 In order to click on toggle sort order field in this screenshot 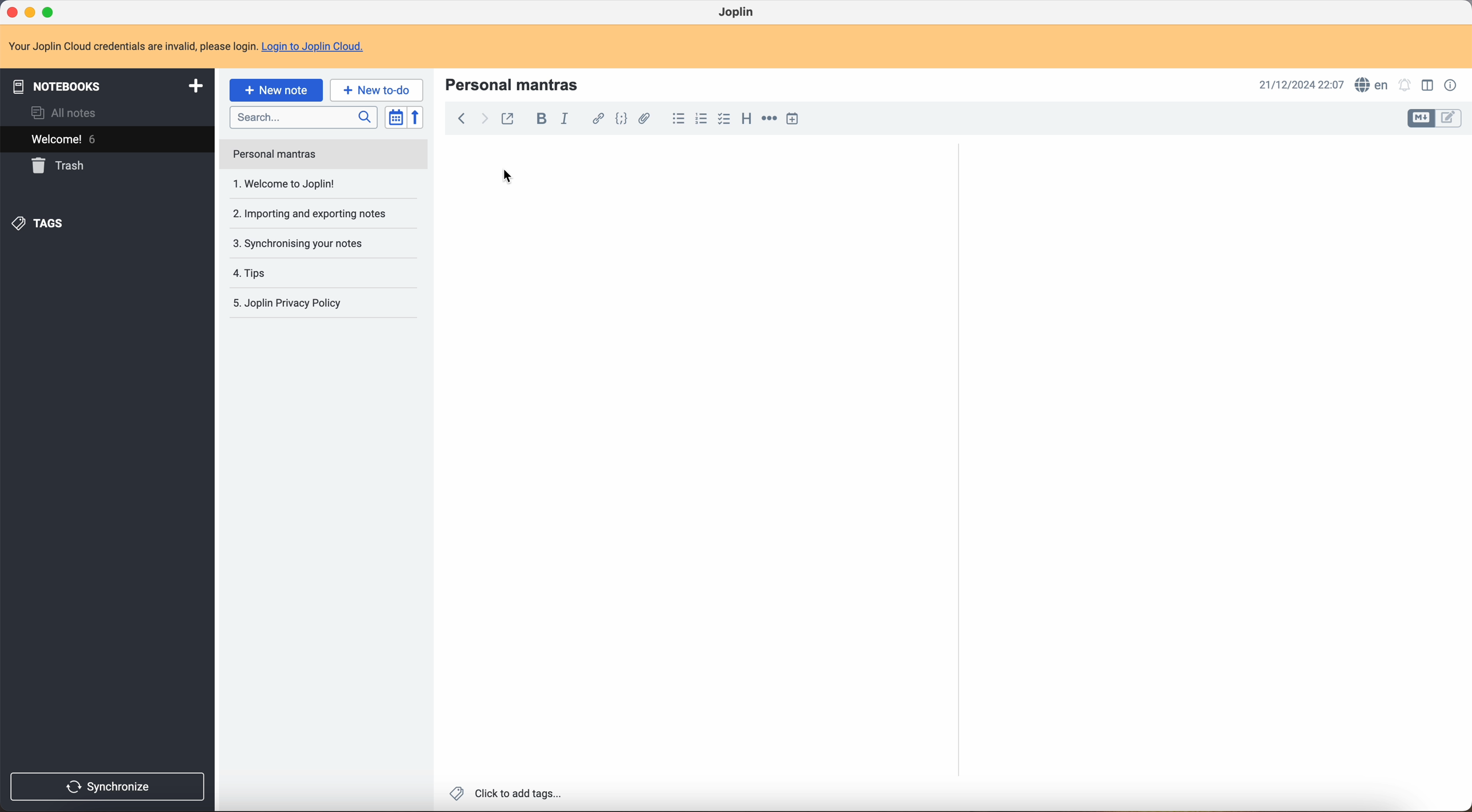, I will do `click(395, 117)`.